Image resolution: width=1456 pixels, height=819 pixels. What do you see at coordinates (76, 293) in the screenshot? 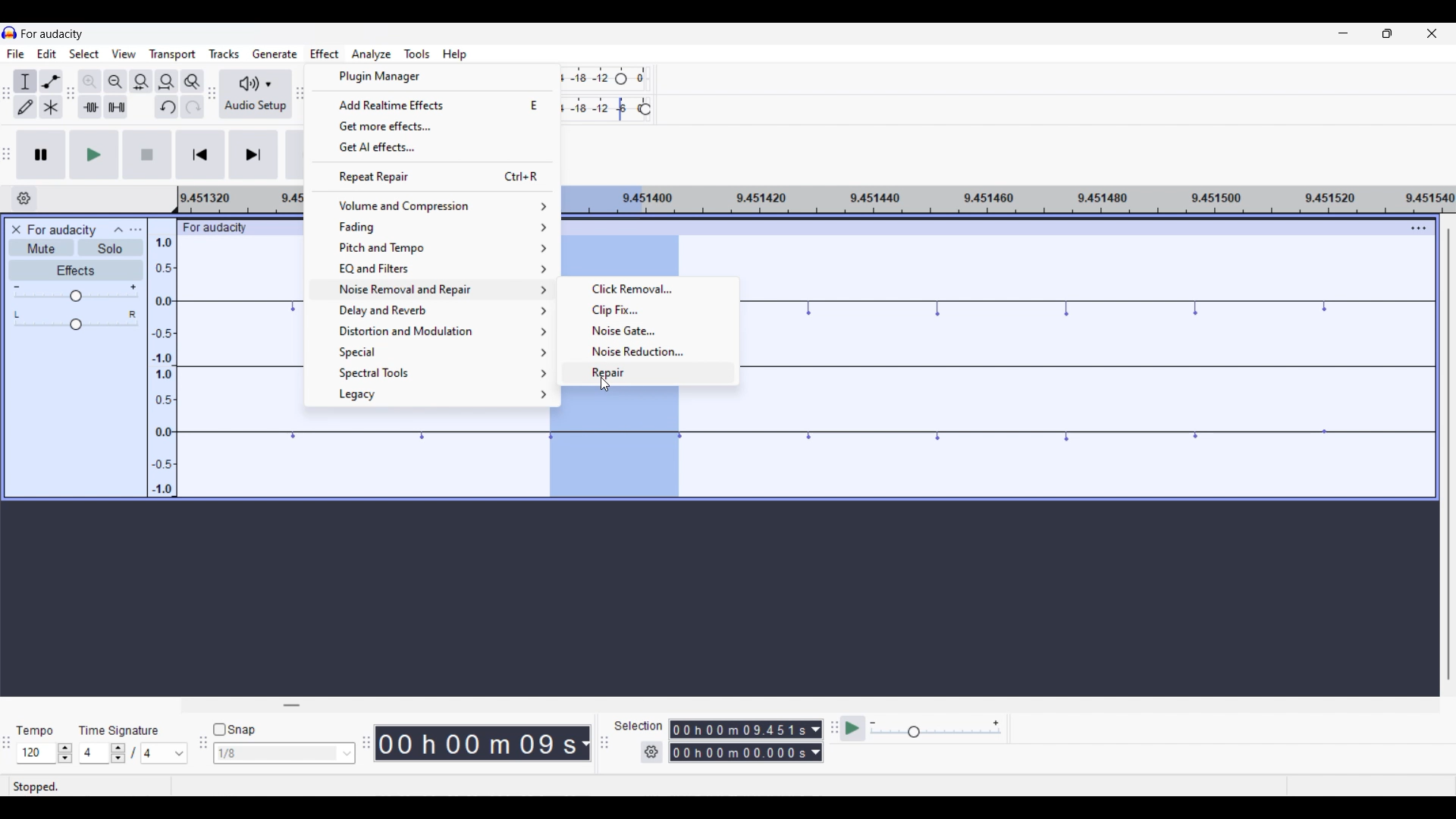
I see `Volume scale` at bounding box center [76, 293].